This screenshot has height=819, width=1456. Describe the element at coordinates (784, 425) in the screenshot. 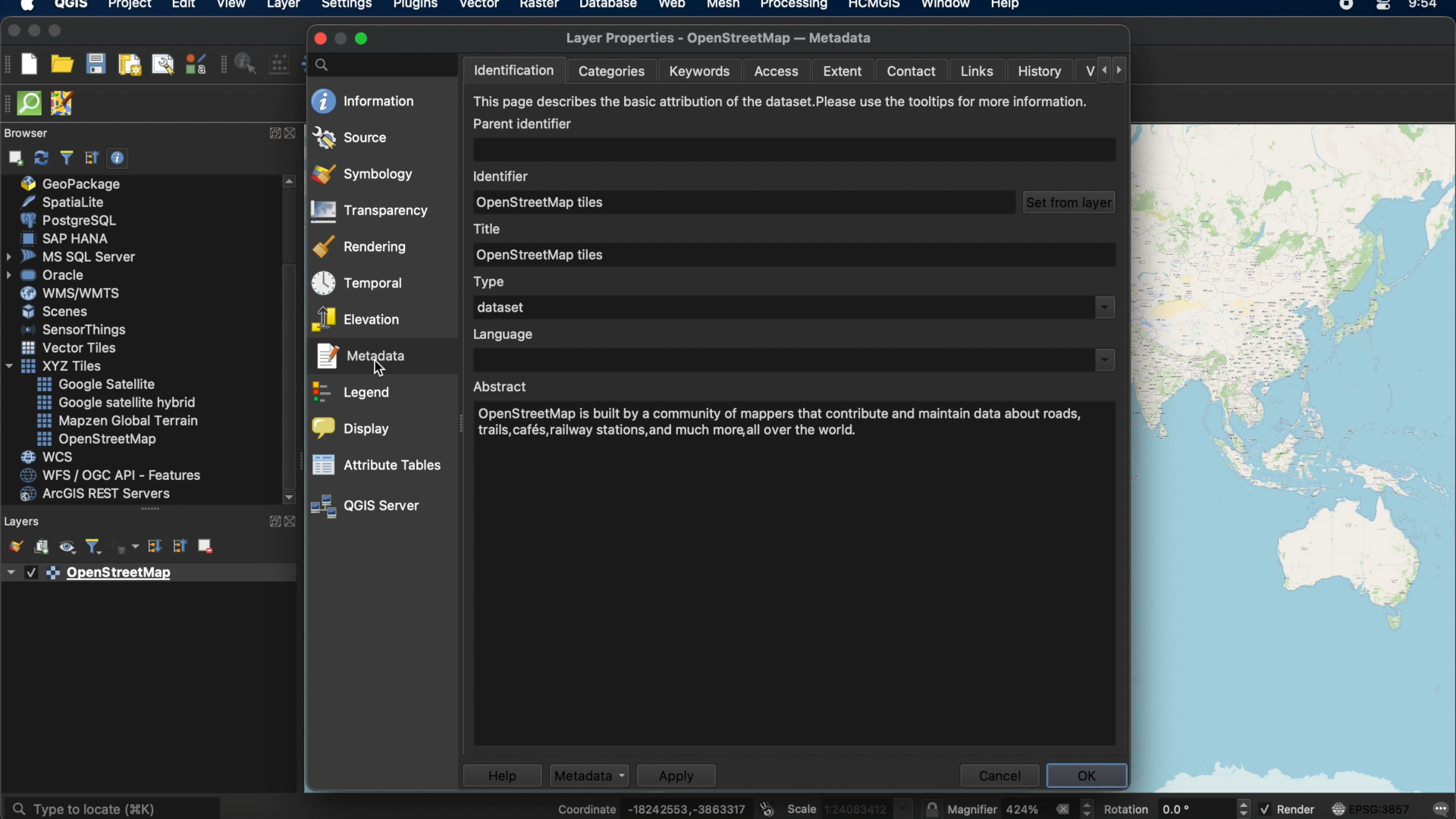

I see `openstreetmap description` at that location.